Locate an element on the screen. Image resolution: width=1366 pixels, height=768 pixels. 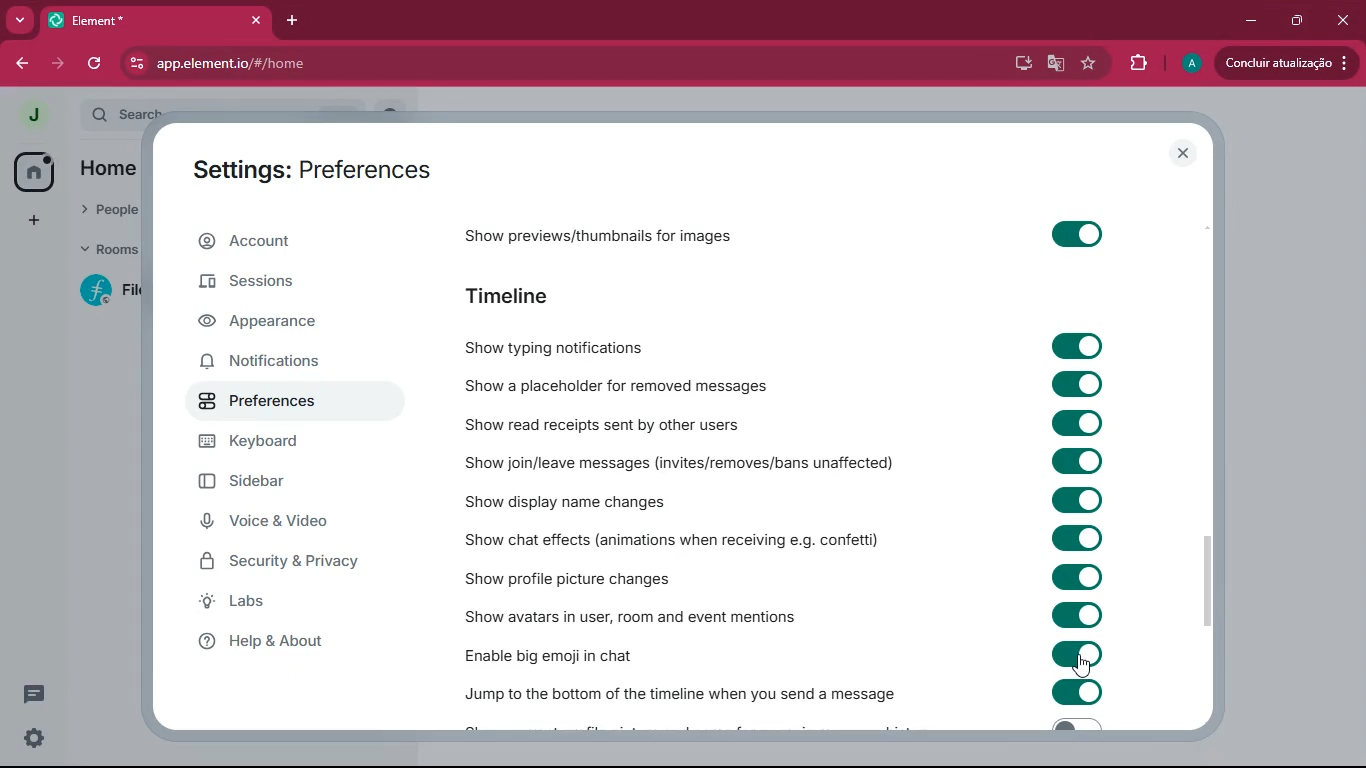
labs is located at coordinates (304, 606).